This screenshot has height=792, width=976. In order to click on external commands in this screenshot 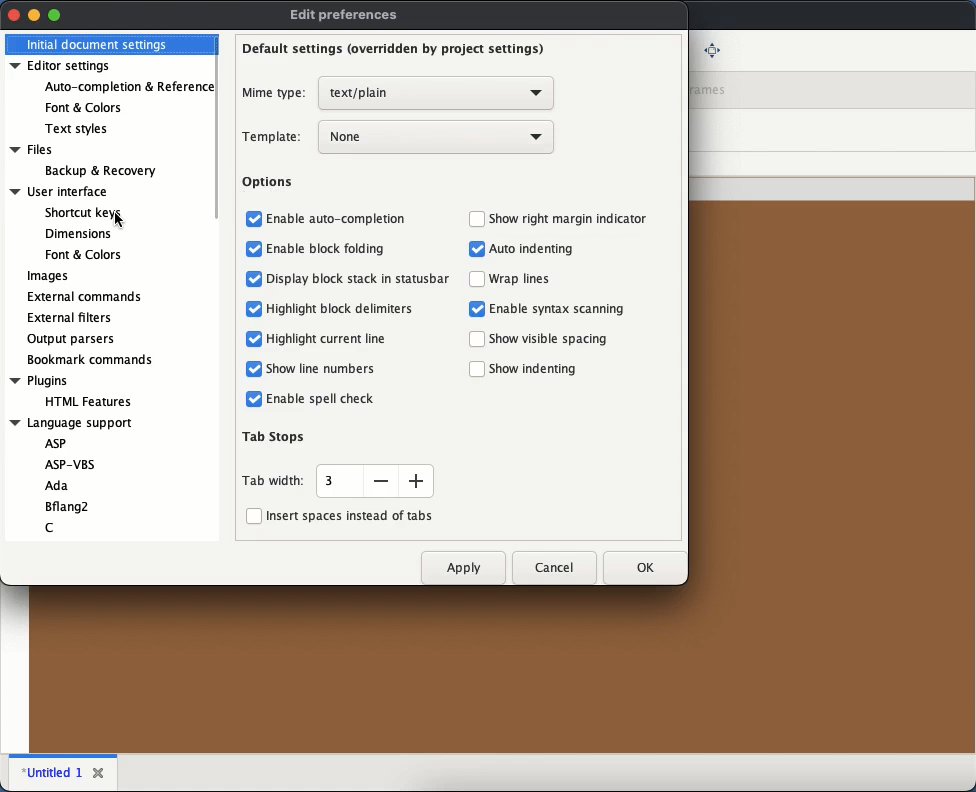, I will do `click(87, 296)`.